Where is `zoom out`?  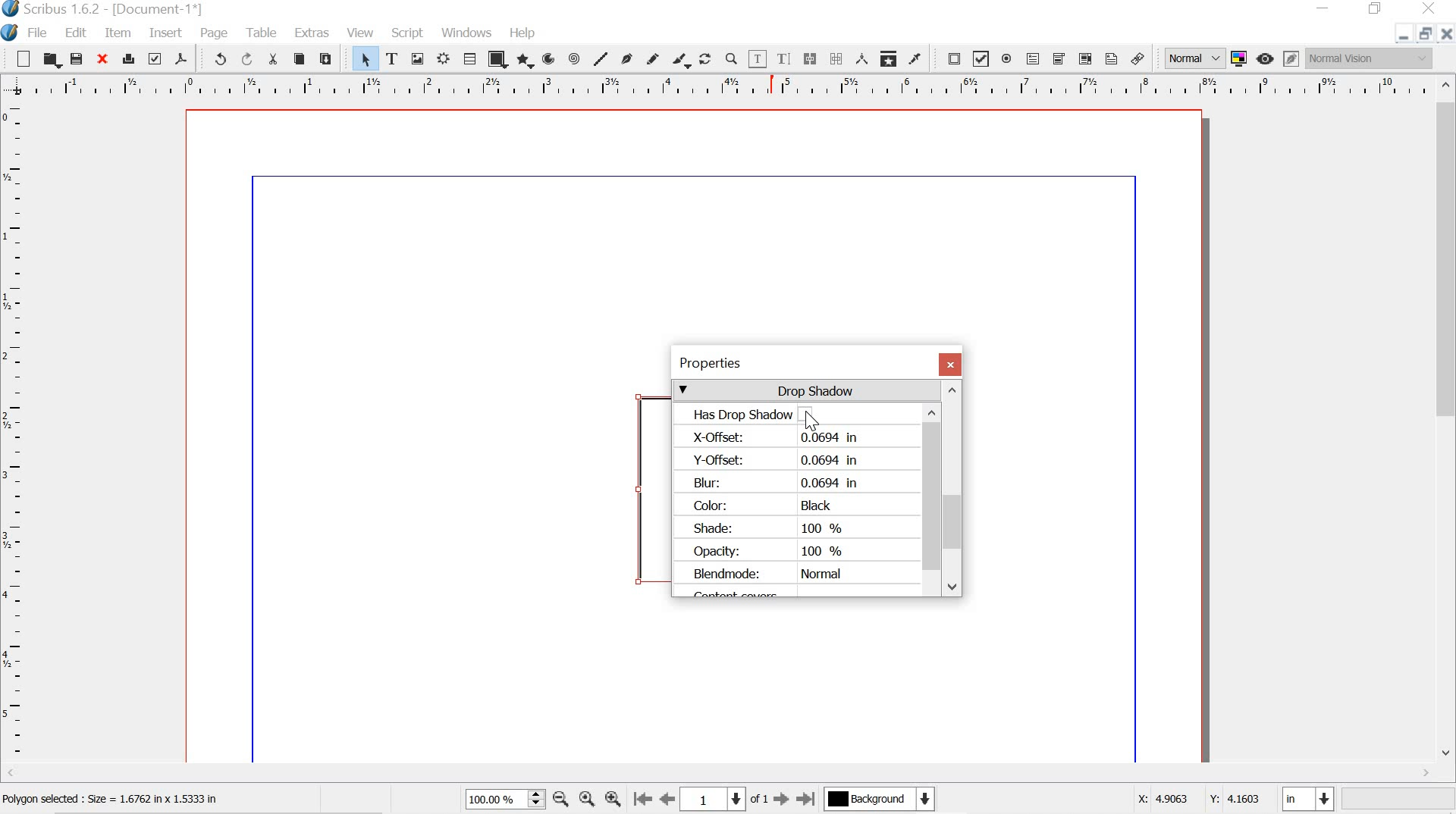 zoom out is located at coordinates (560, 800).